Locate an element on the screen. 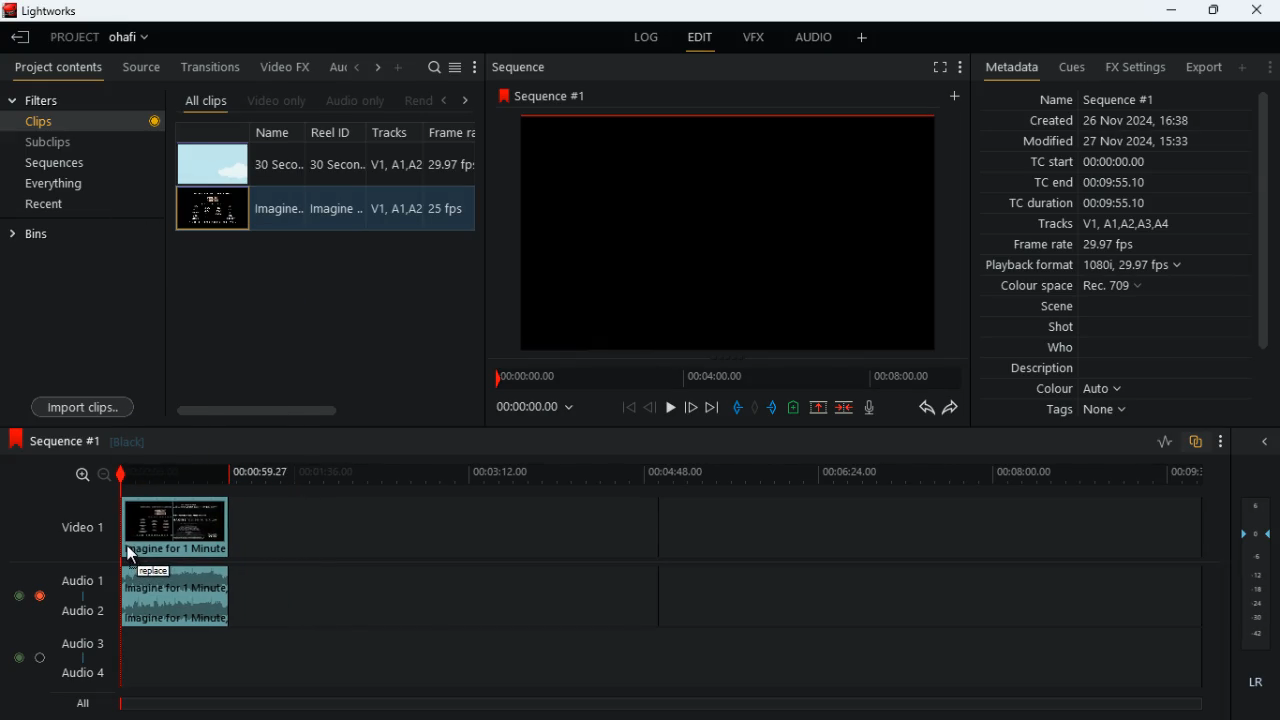 The image size is (1280, 720). add is located at coordinates (957, 97).